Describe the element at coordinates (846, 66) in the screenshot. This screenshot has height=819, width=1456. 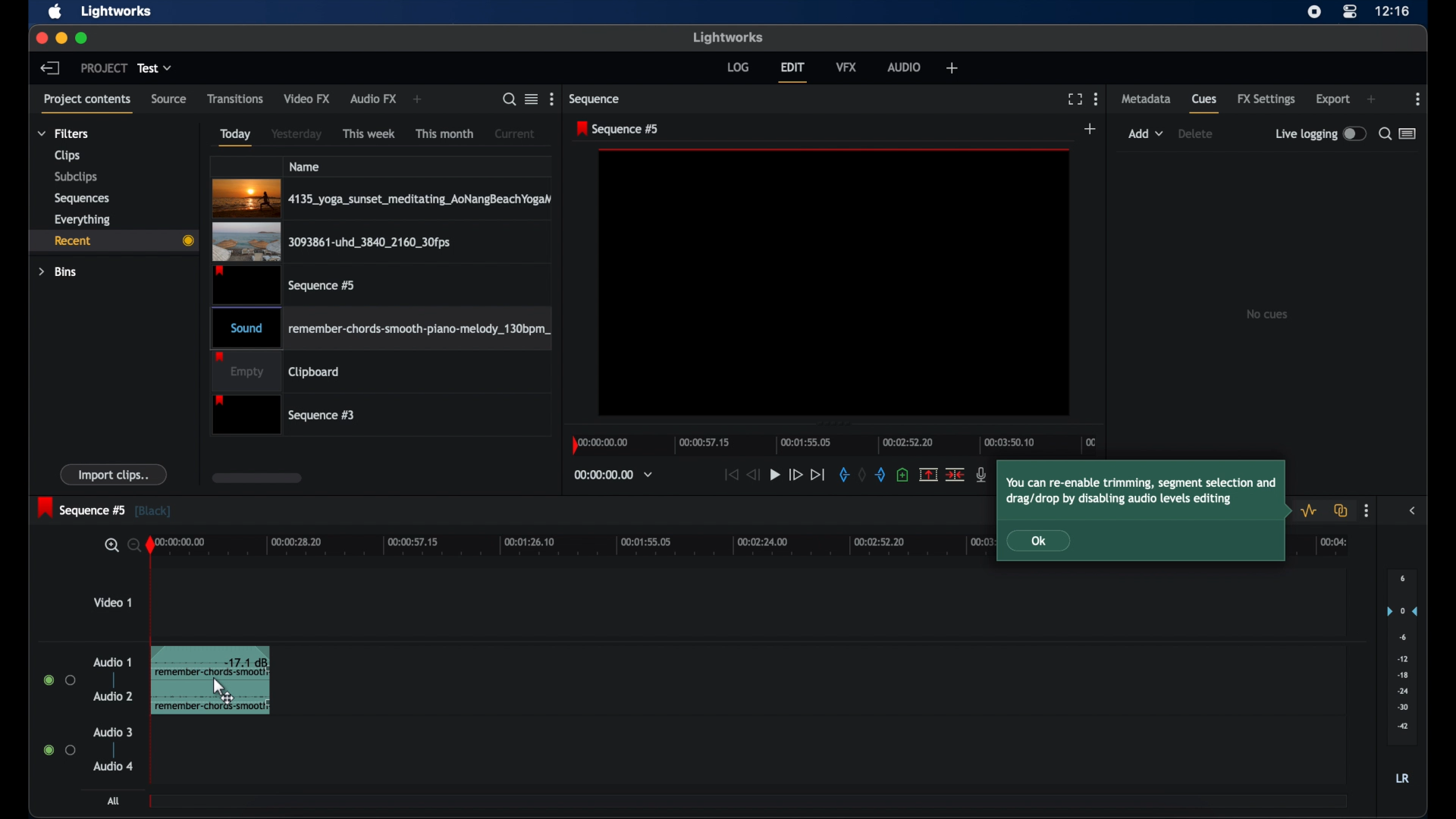
I see `vfx` at that location.